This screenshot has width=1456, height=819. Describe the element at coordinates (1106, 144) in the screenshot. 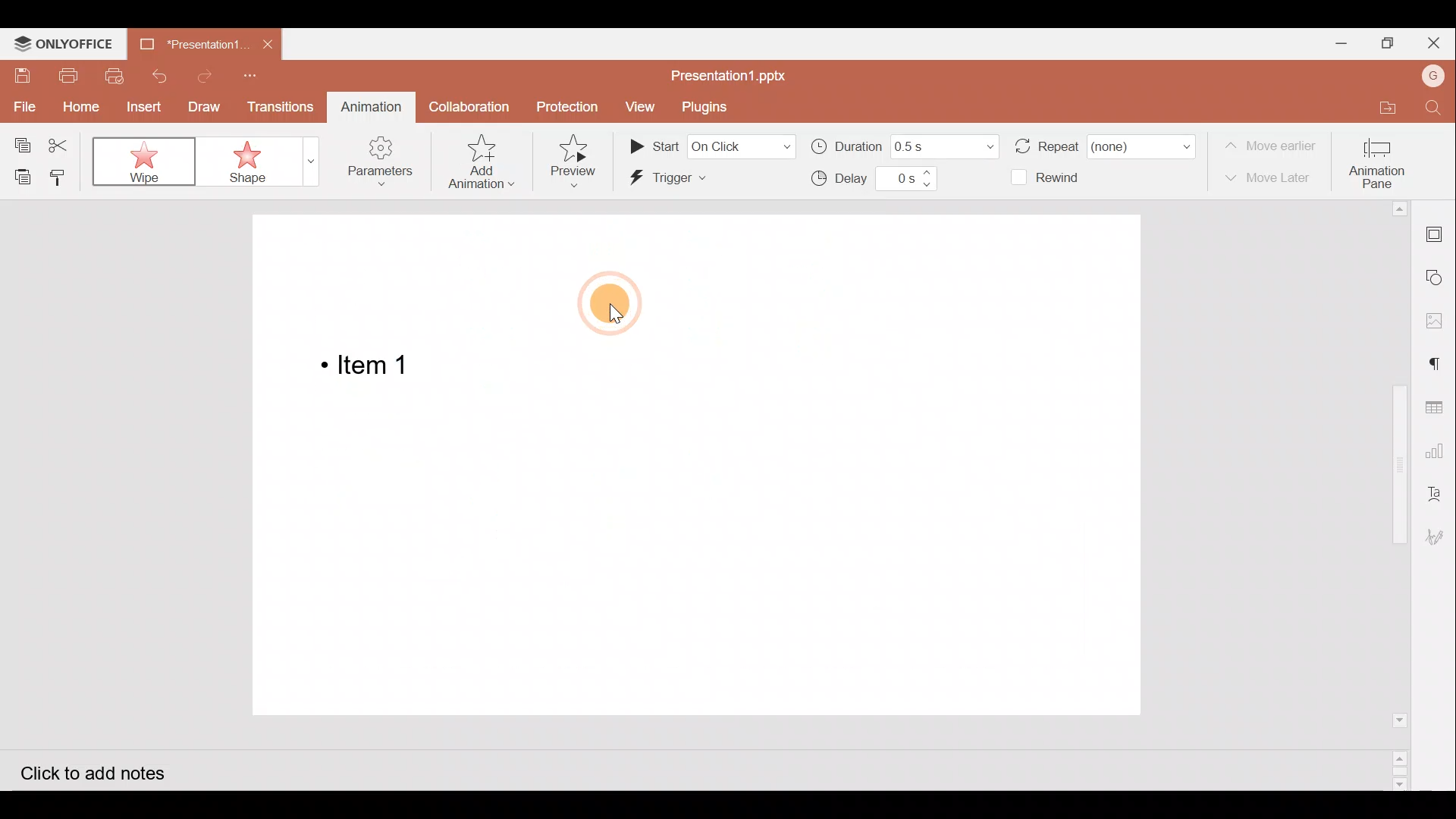

I see `Repeat` at that location.